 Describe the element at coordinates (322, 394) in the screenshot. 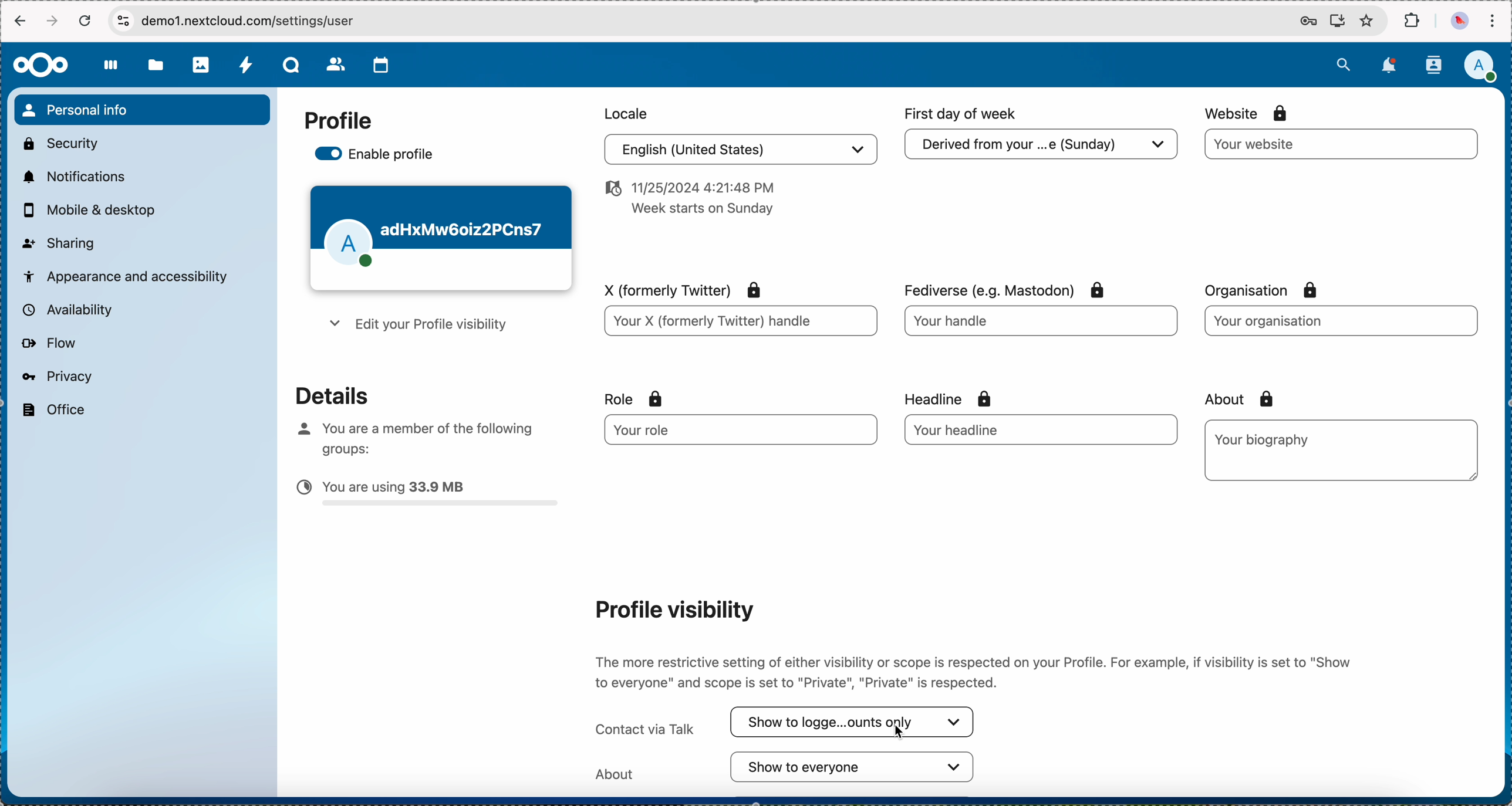

I see `details` at that location.